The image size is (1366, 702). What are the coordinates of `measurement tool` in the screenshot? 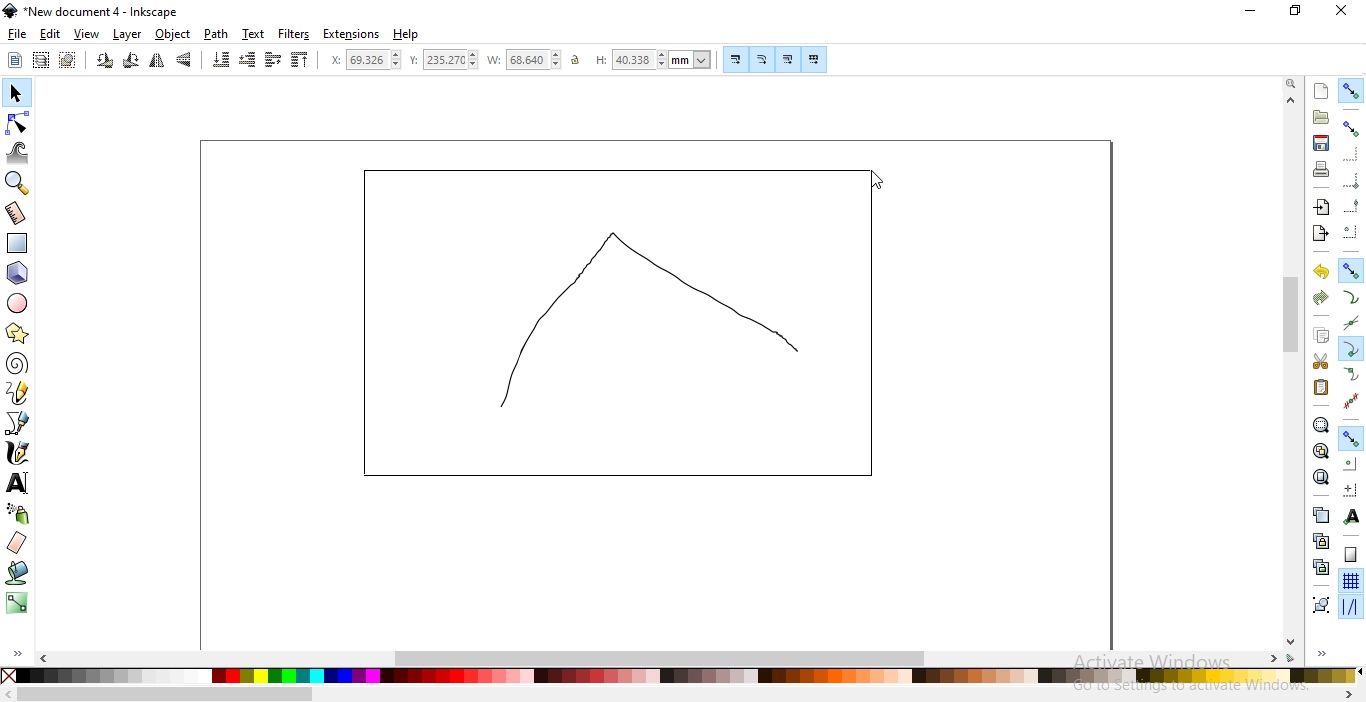 It's located at (16, 215).